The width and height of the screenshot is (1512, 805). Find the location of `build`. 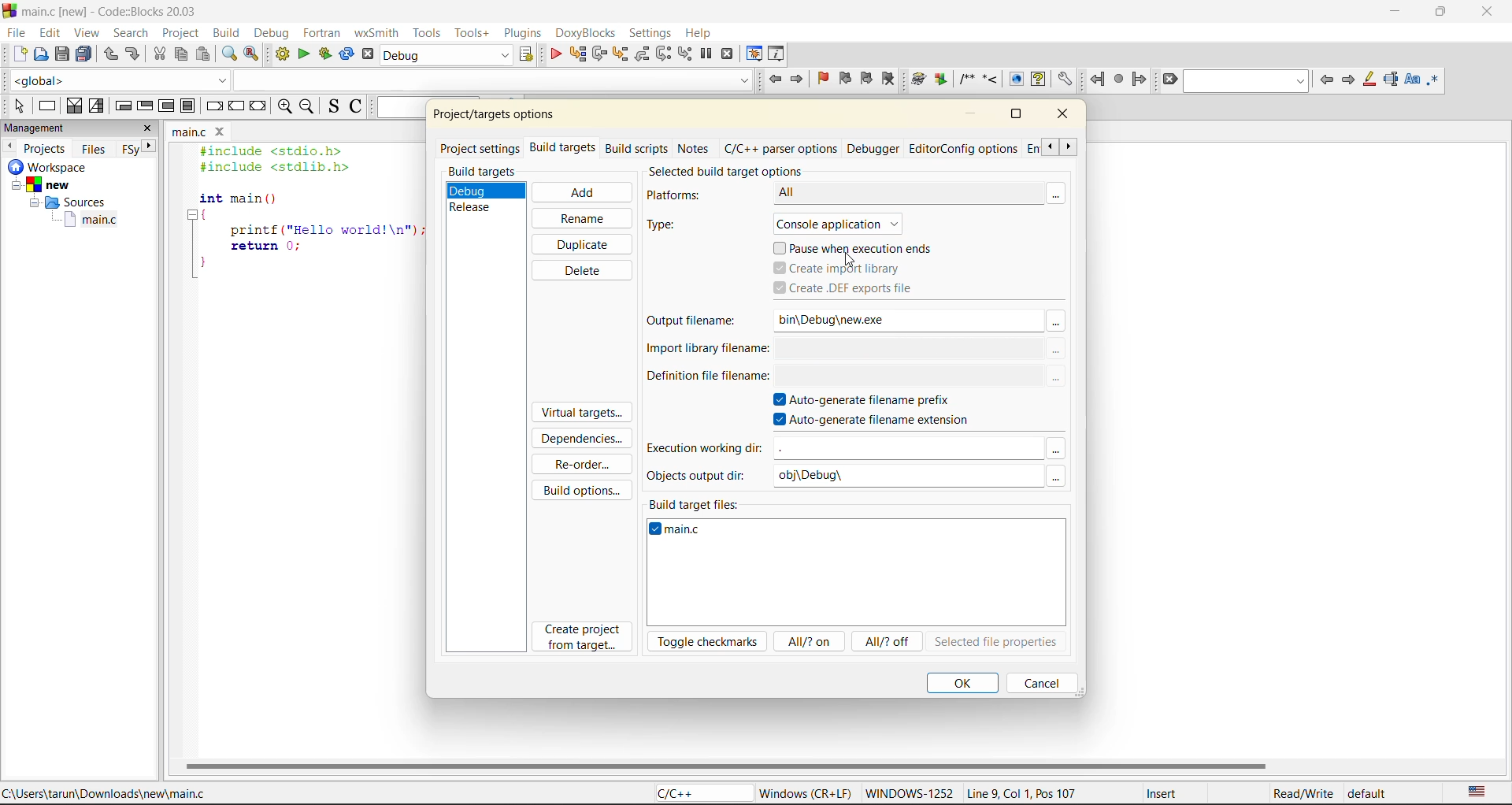

build is located at coordinates (226, 33).